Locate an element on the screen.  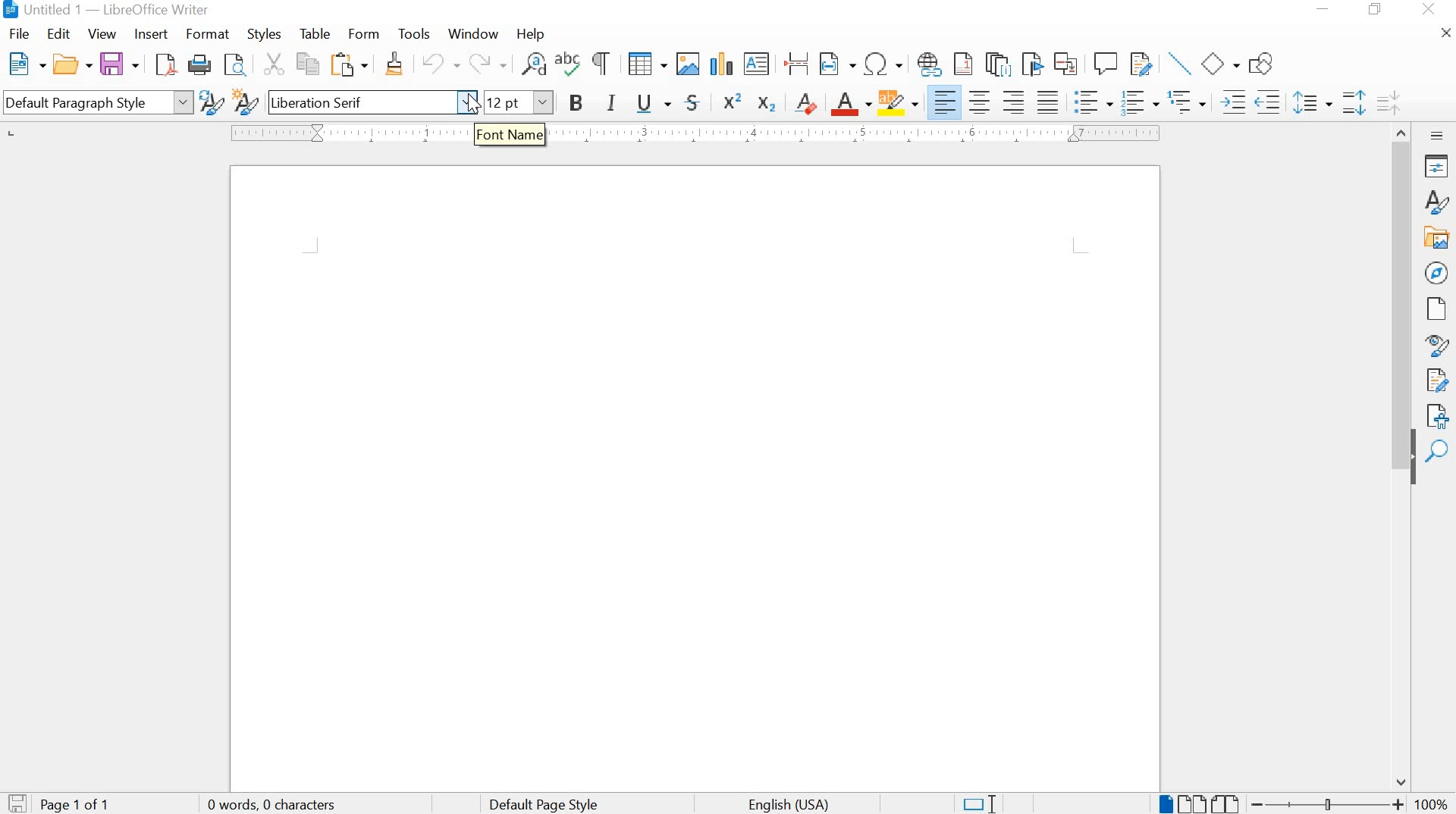
FORMAT is located at coordinates (209, 33).